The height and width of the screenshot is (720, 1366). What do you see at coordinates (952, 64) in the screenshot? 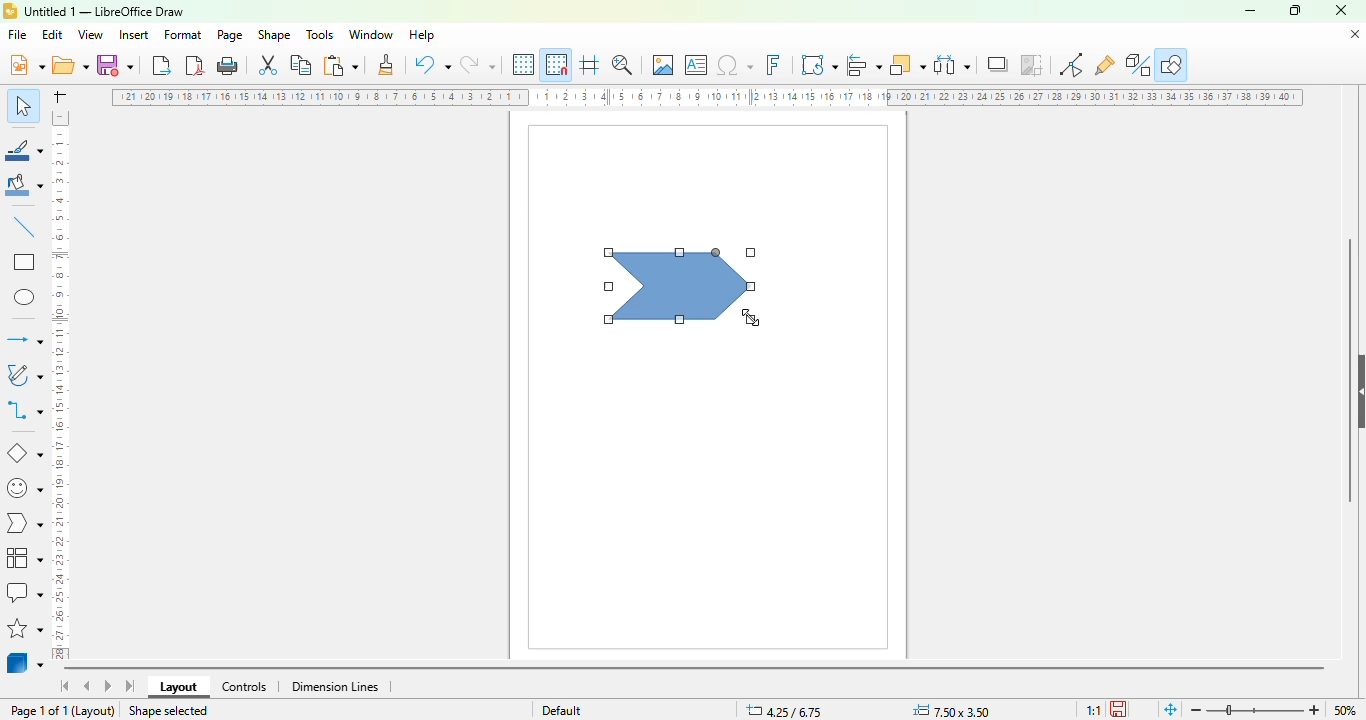
I see `select at least three objects to distribute` at bounding box center [952, 64].